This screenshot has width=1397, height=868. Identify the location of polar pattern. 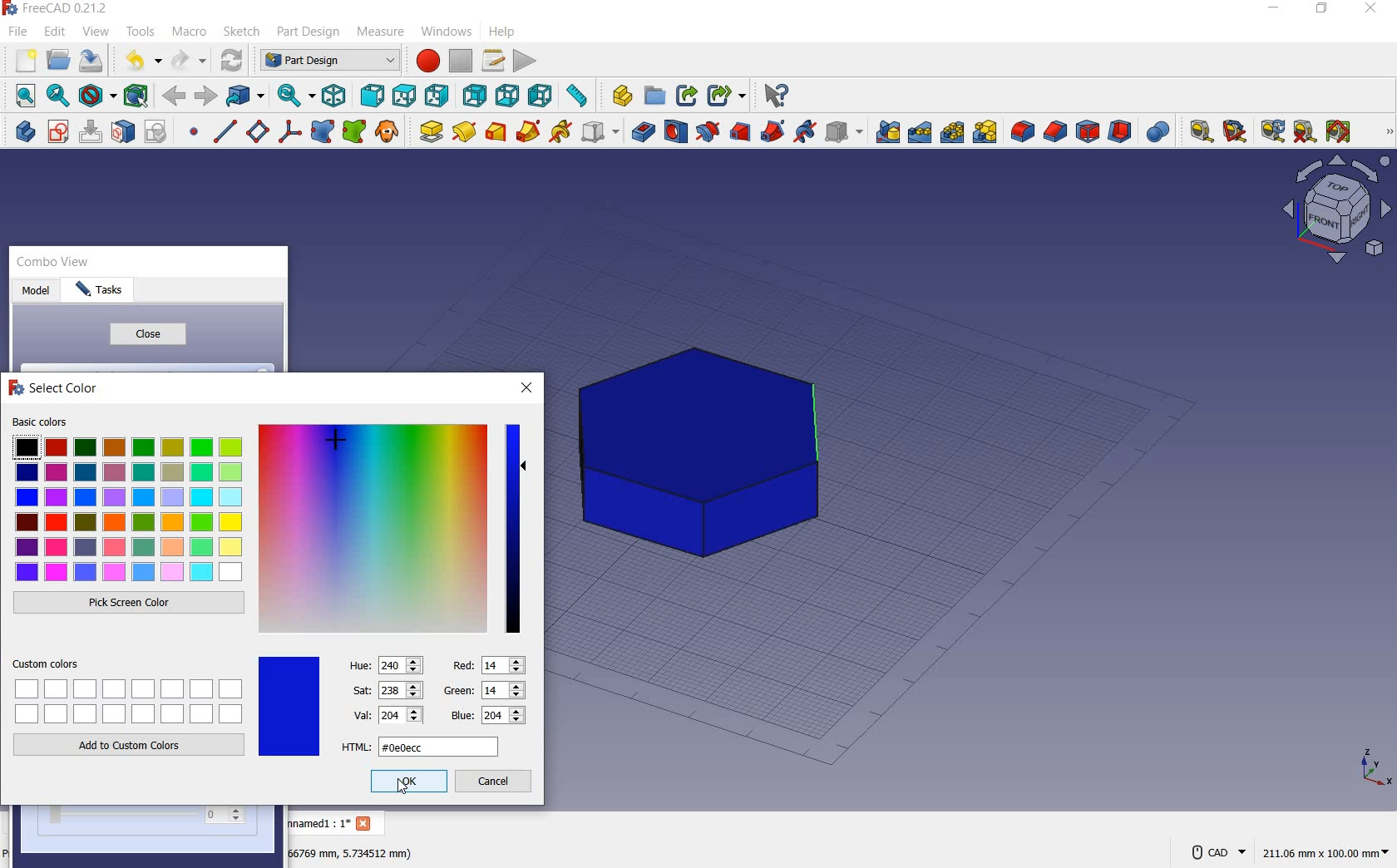
(953, 131).